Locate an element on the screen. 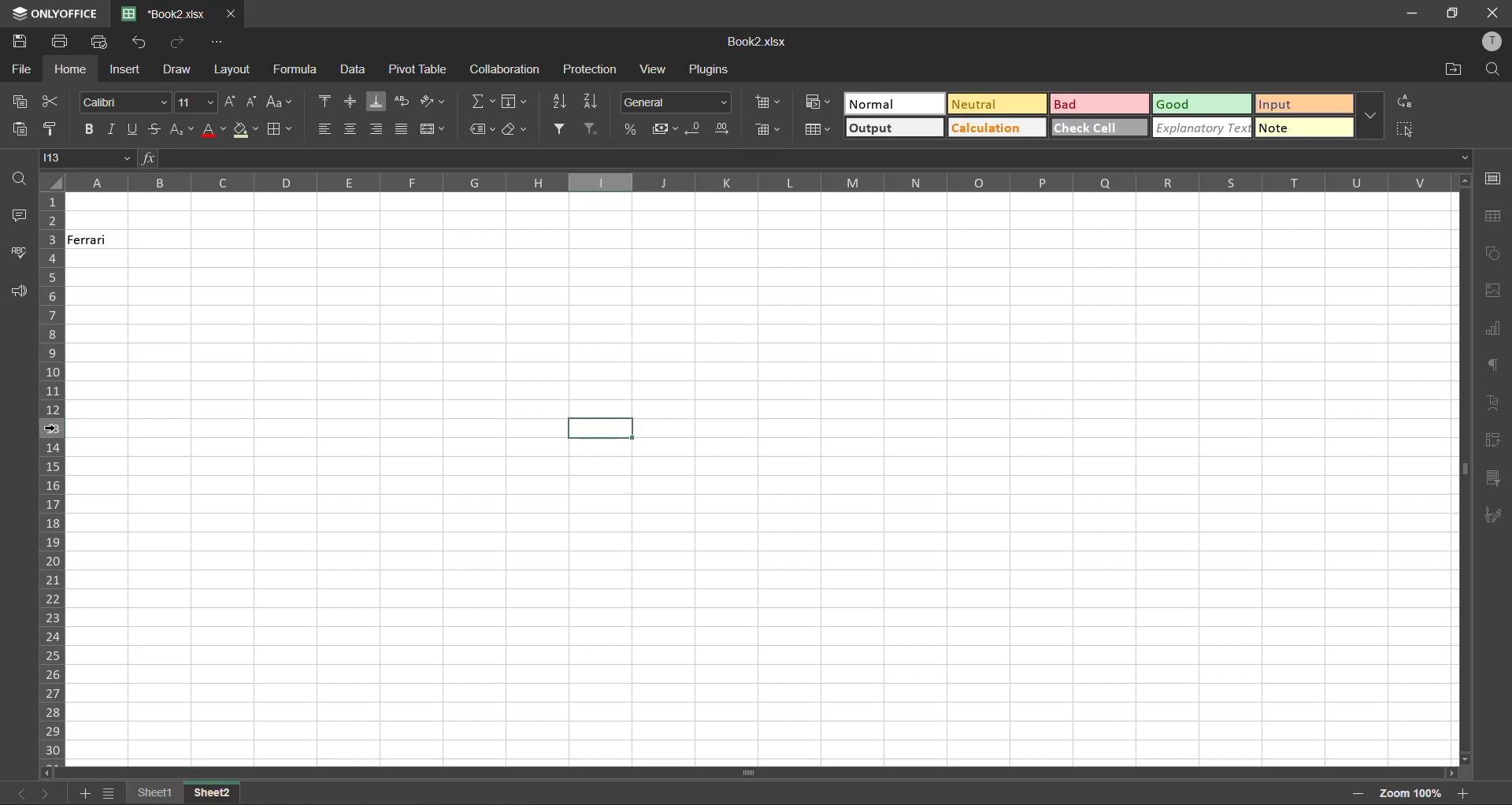 Image resolution: width=1512 pixels, height=805 pixels. shapes is located at coordinates (1497, 254).